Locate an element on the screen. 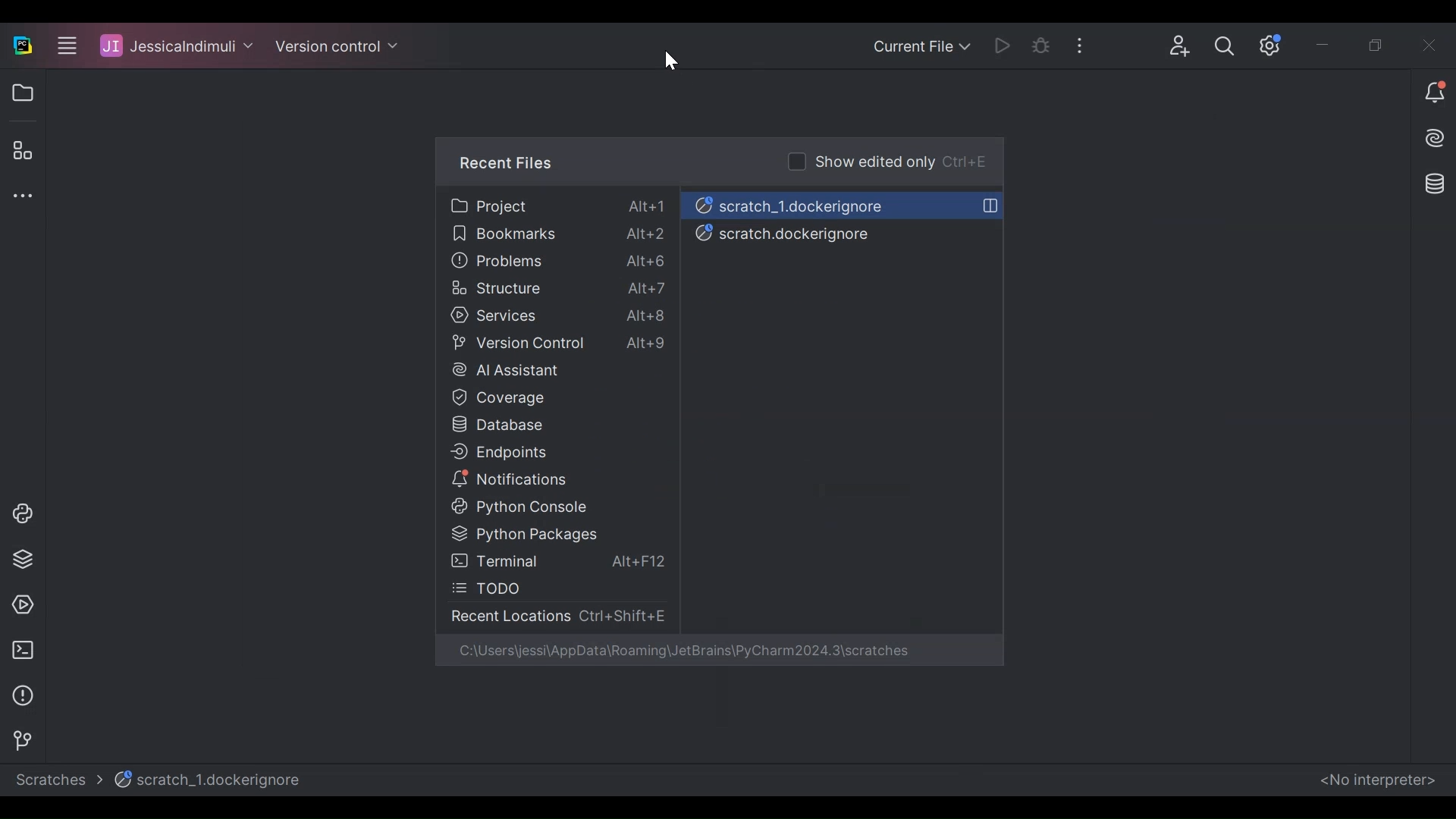  File Path is located at coordinates (686, 651).